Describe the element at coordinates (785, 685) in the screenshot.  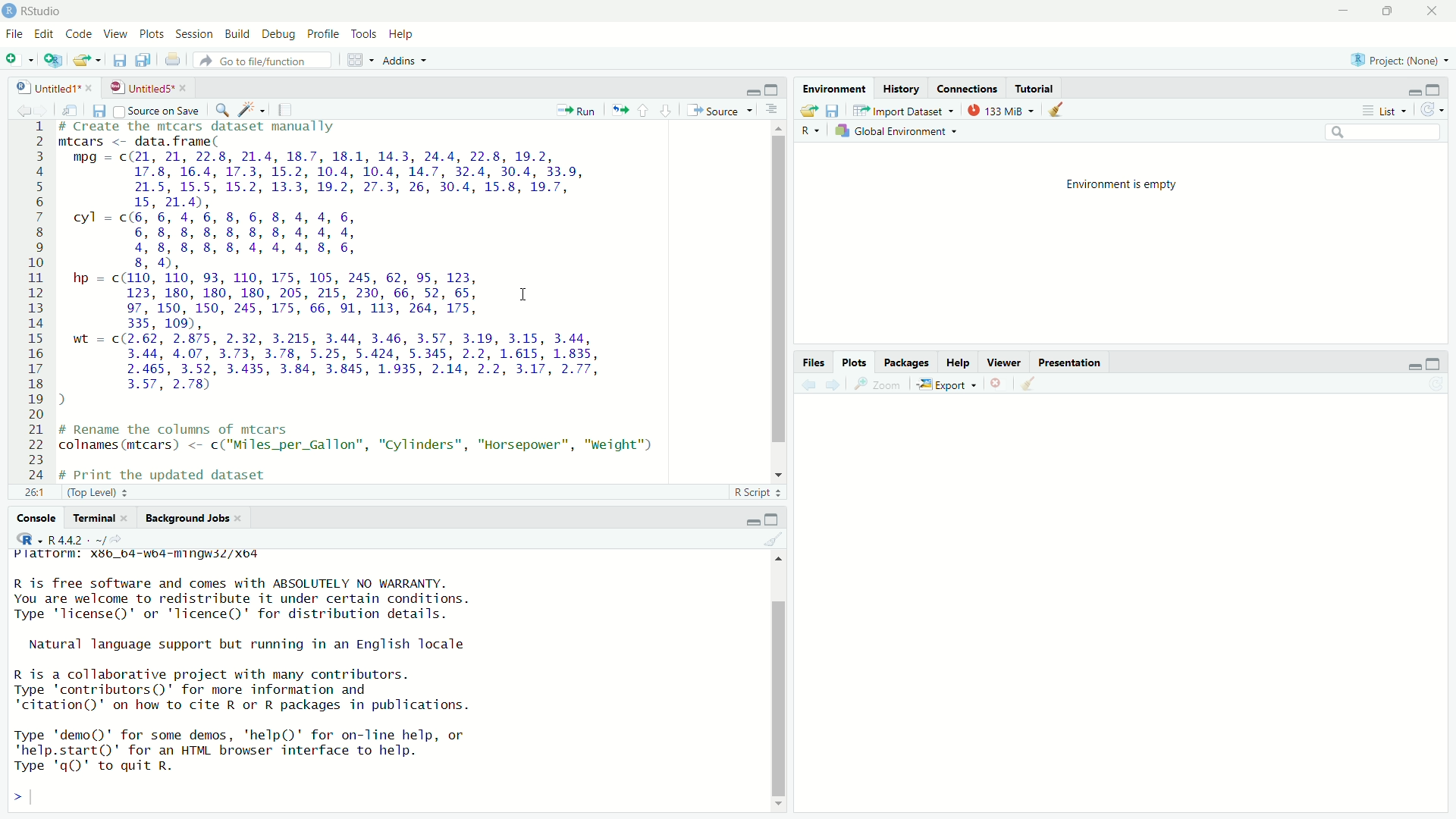
I see `scroll bar` at that location.